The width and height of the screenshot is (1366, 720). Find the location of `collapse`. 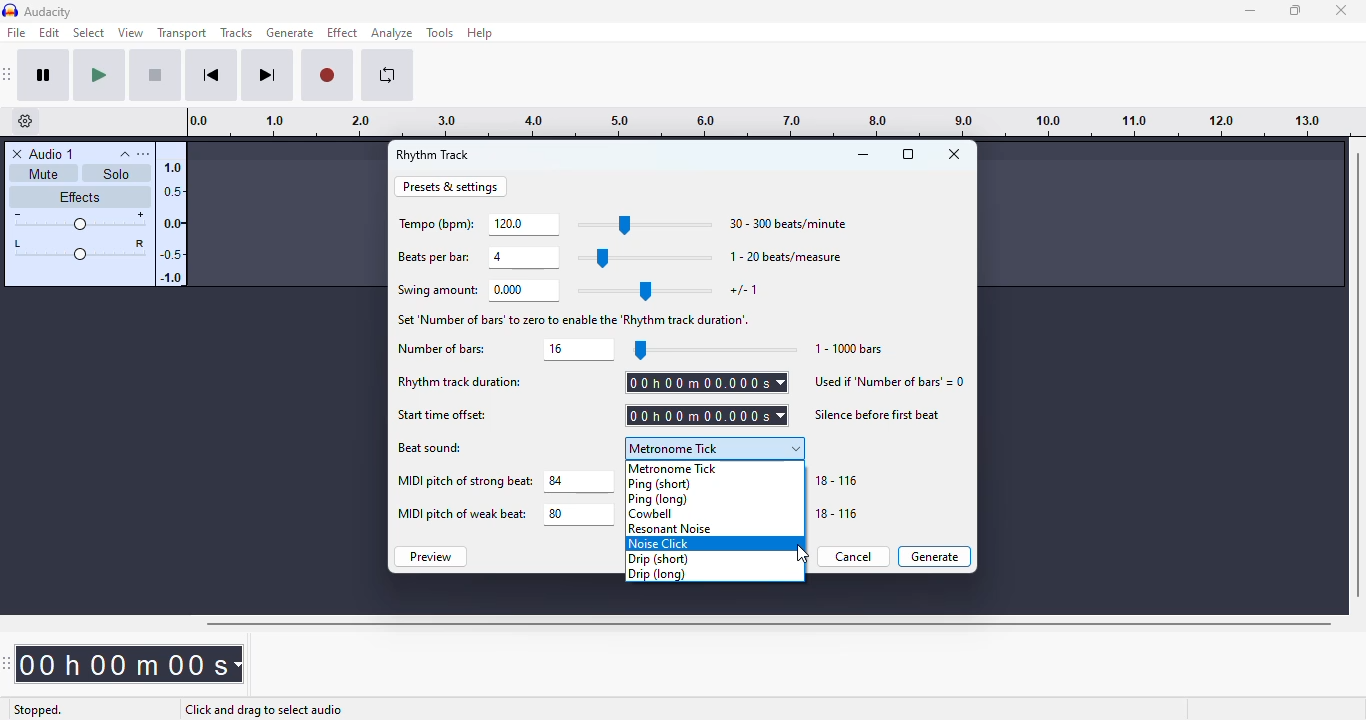

collapse is located at coordinates (125, 154).